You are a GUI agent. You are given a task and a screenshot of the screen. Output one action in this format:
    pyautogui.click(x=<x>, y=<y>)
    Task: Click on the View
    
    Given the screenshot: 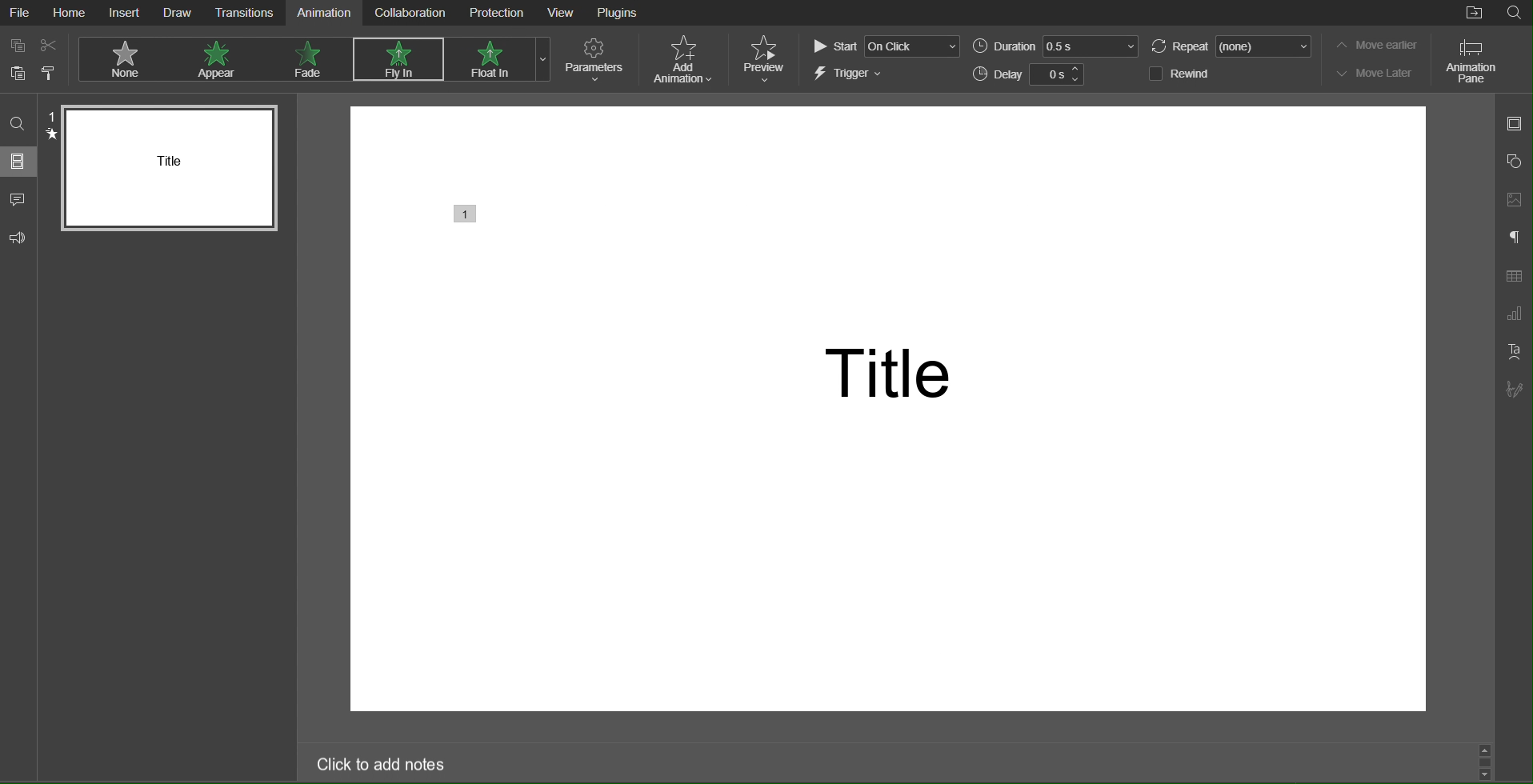 What is the action you would take?
    pyautogui.click(x=562, y=13)
    